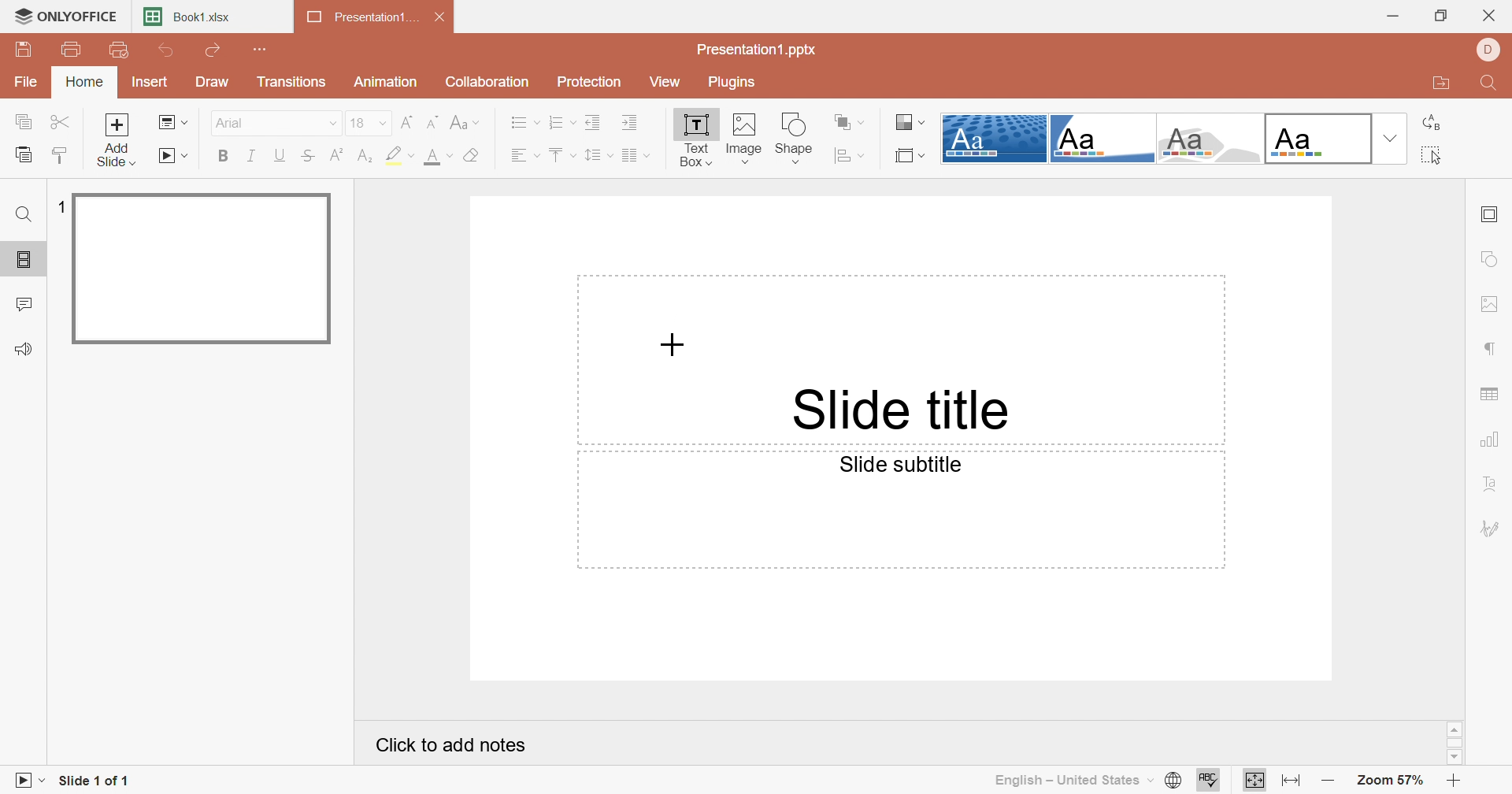 The width and height of the screenshot is (1512, 794). Describe the element at coordinates (291, 82) in the screenshot. I see `Transitions` at that location.